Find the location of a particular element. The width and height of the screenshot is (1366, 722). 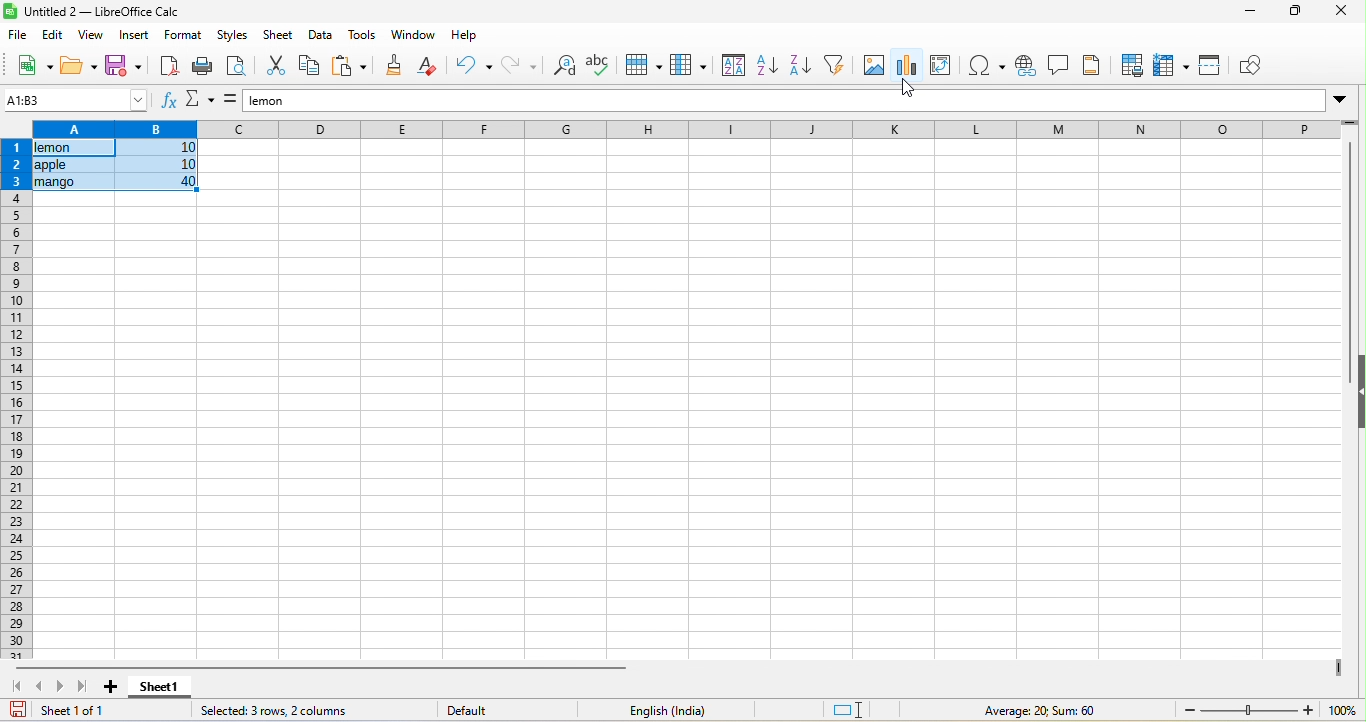

cut is located at coordinates (272, 68).